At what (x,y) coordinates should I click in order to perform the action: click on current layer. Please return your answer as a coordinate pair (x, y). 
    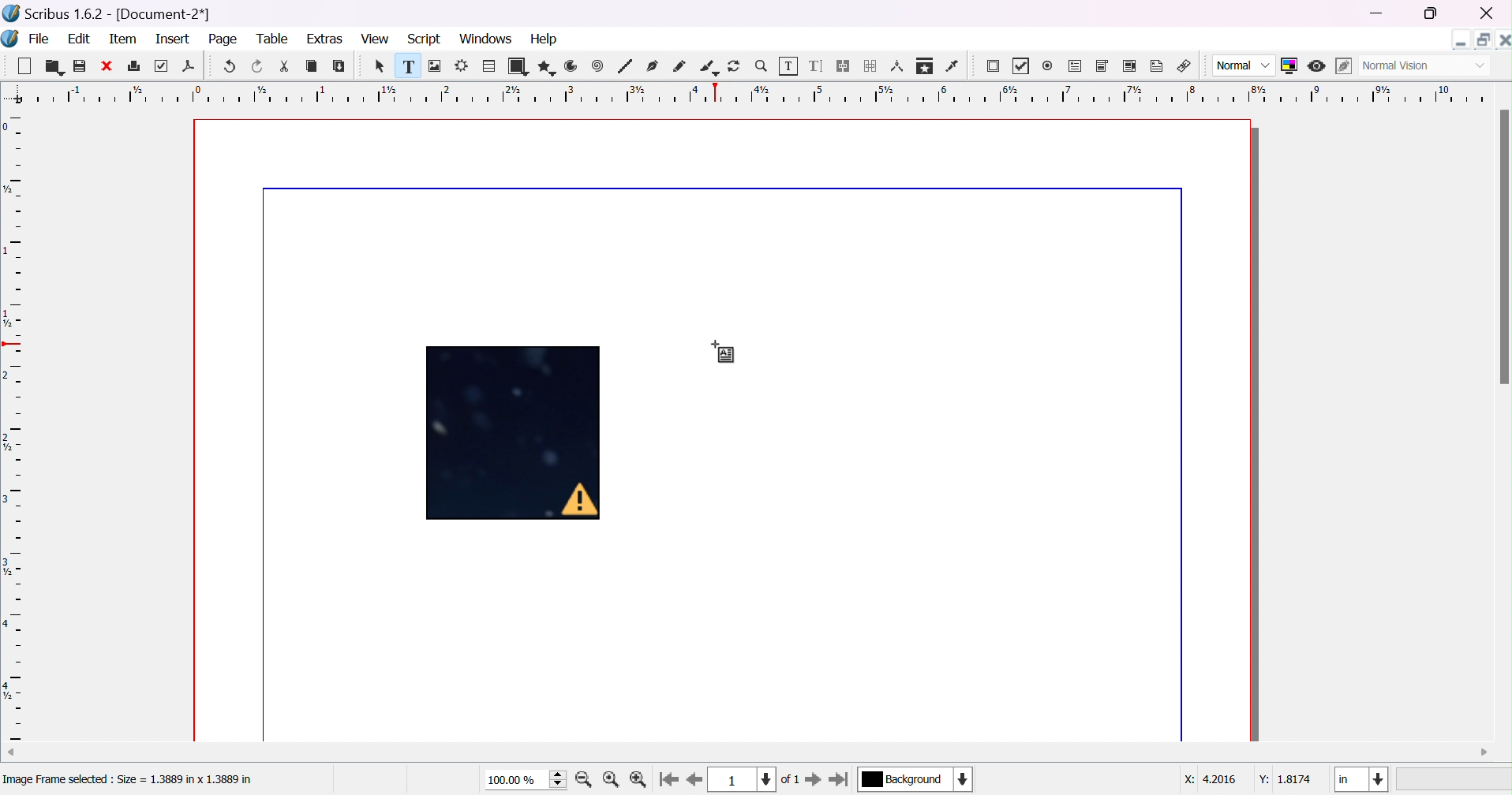
    Looking at the image, I should click on (916, 778).